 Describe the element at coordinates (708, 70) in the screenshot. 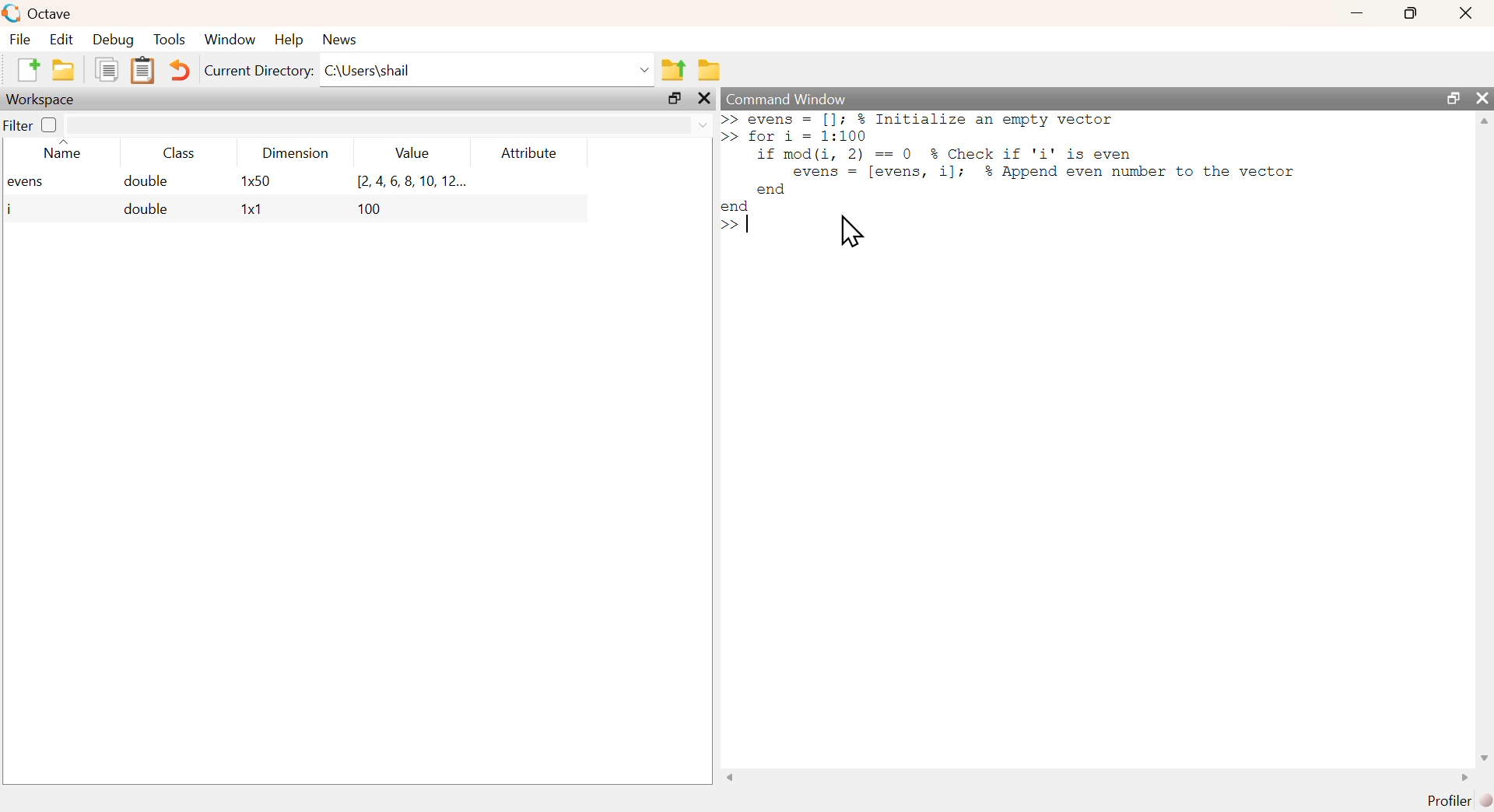

I see `browse directories` at that location.